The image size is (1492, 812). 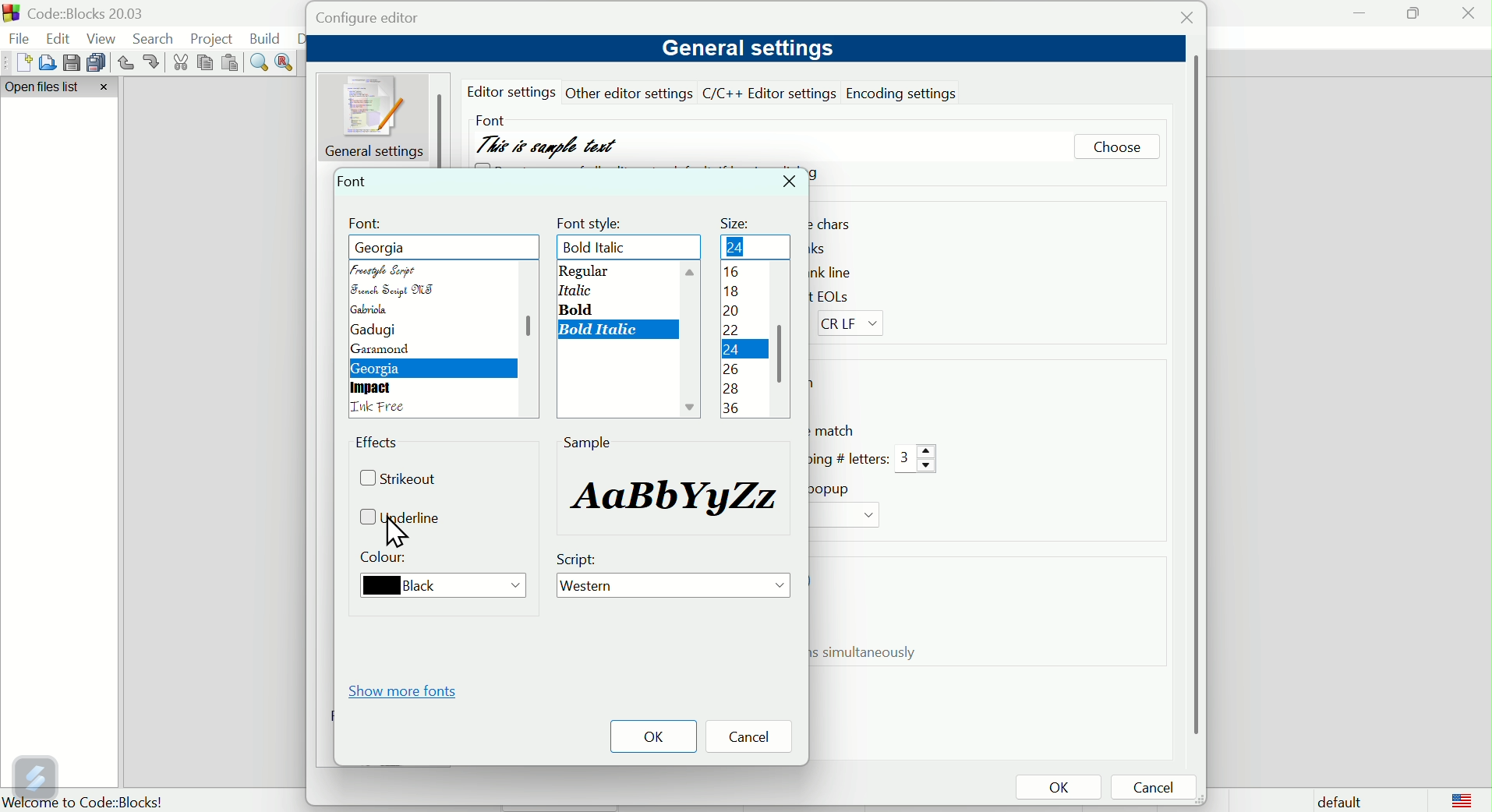 I want to click on 18, so click(x=736, y=291).